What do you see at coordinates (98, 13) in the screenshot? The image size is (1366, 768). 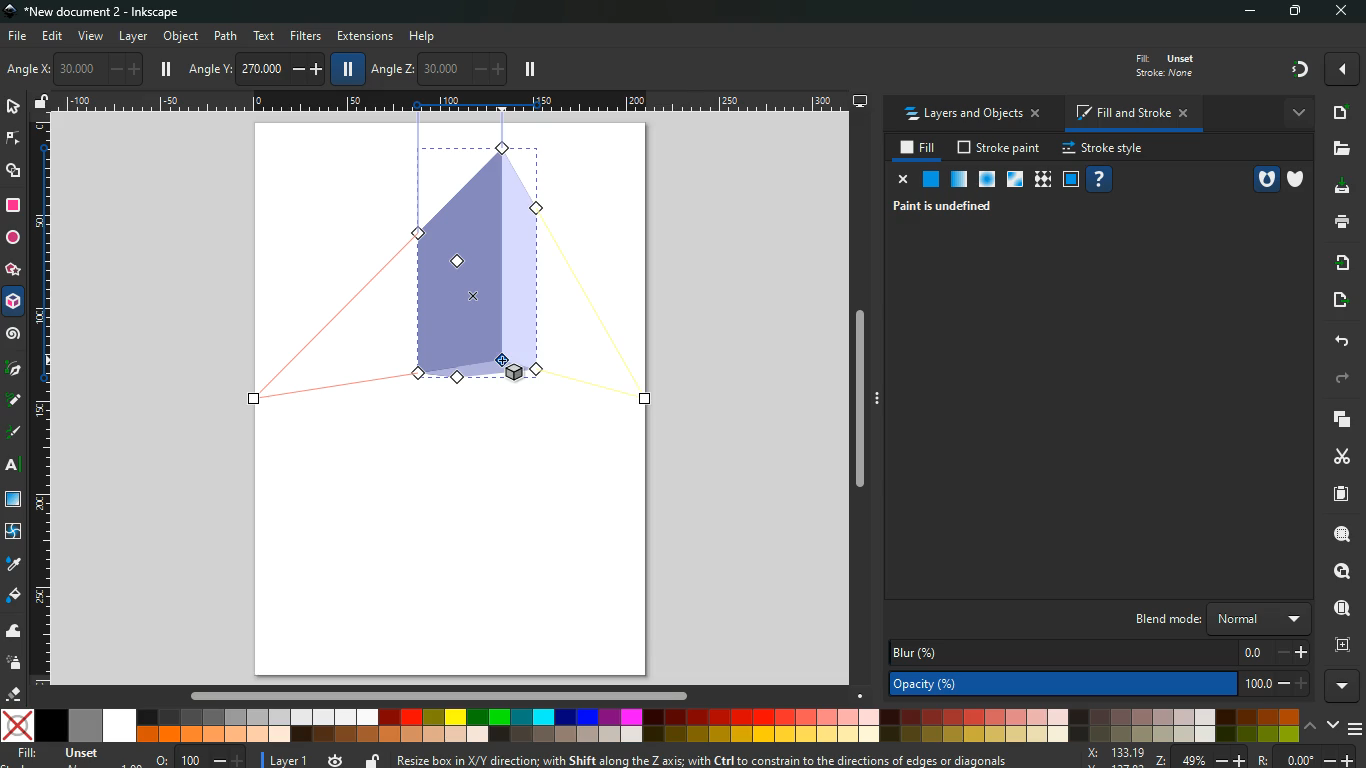 I see `inkscape` at bounding box center [98, 13].